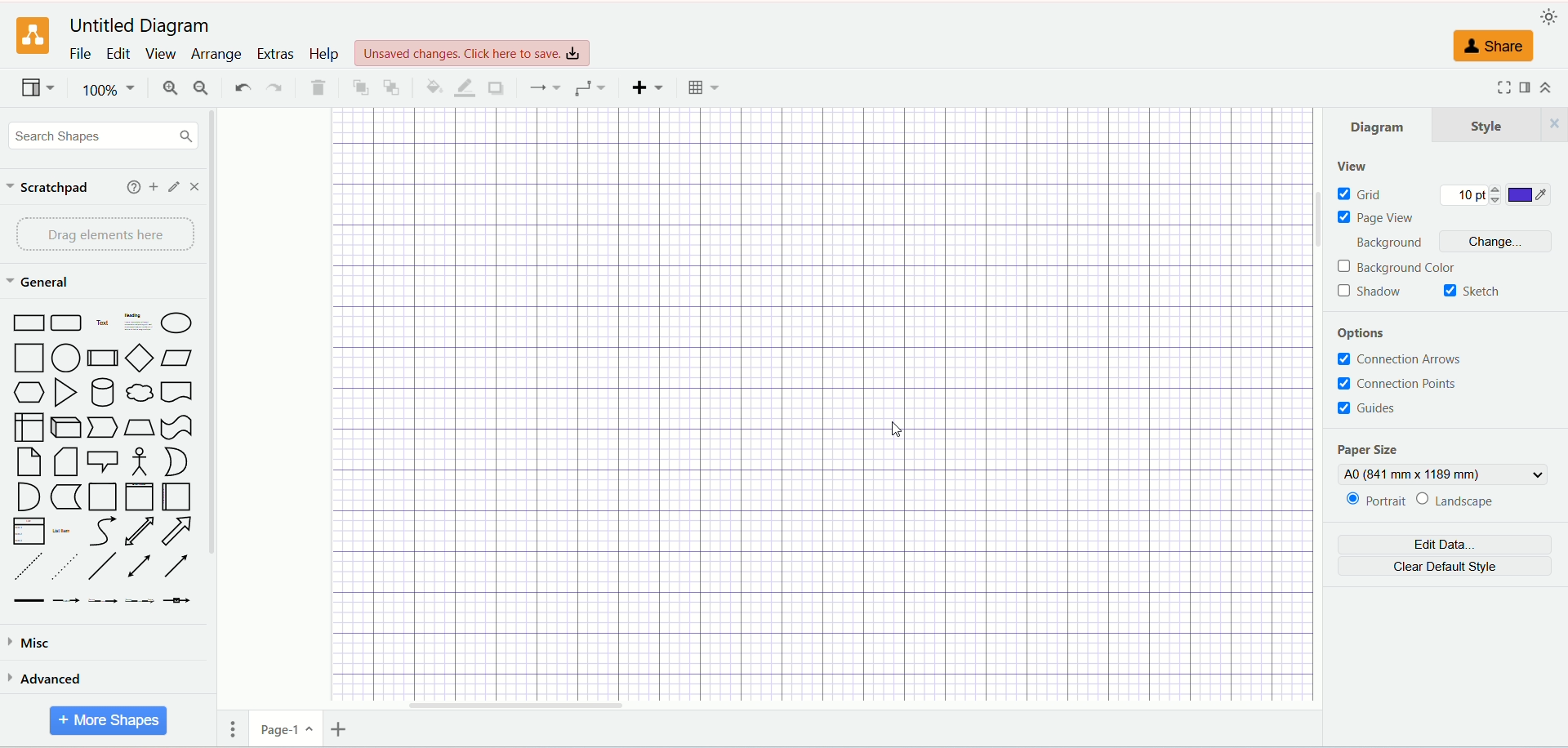 This screenshot has height=748, width=1568. Describe the element at coordinates (1502, 87) in the screenshot. I see `fullscreen` at that location.